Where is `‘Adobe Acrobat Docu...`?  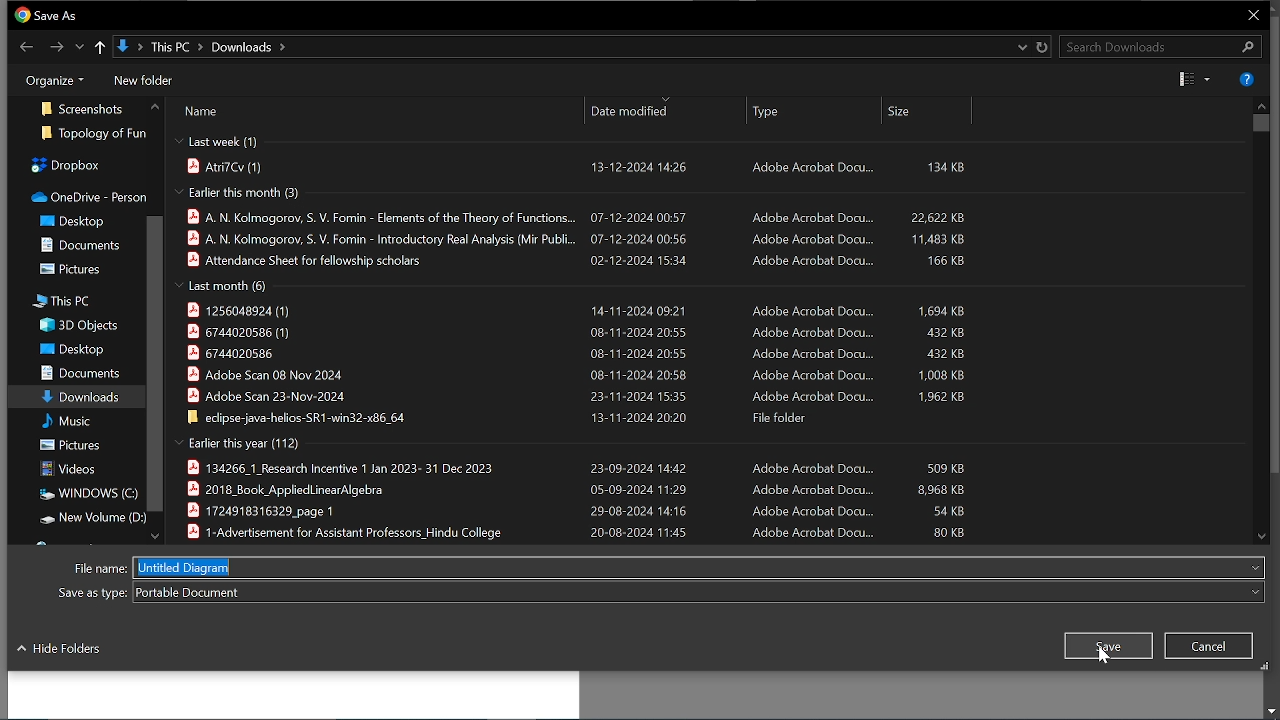 ‘Adobe Acrobat Docu... is located at coordinates (809, 533).